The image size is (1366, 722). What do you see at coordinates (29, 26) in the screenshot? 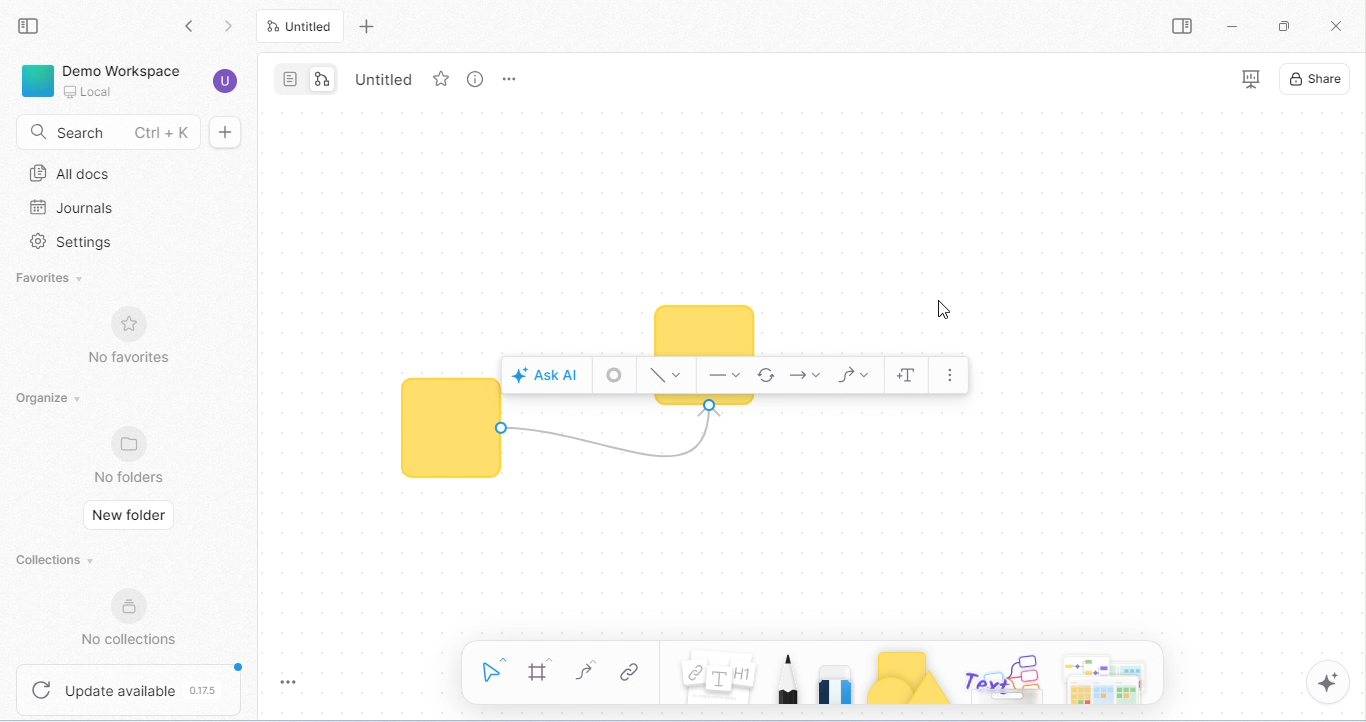
I see `collapse` at bounding box center [29, 26].